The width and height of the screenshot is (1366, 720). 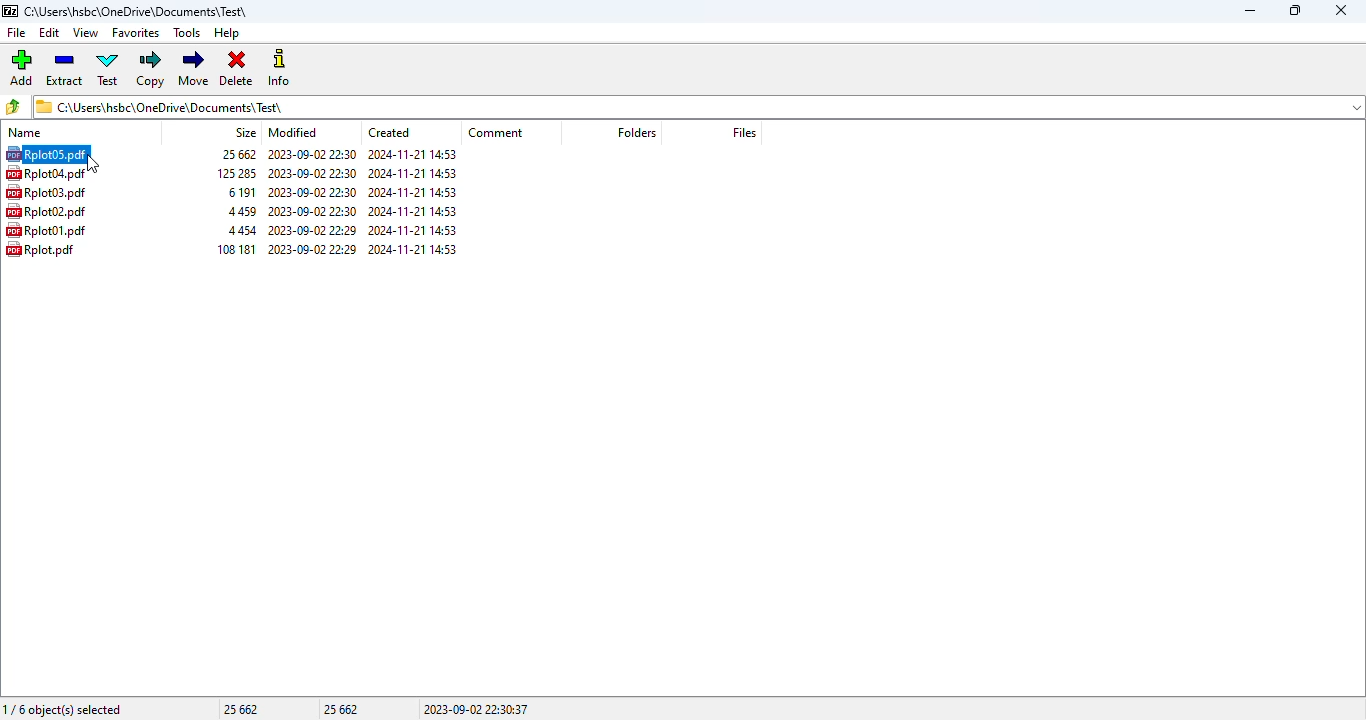 I want to click on browse folders, so click(x=15, y=106).